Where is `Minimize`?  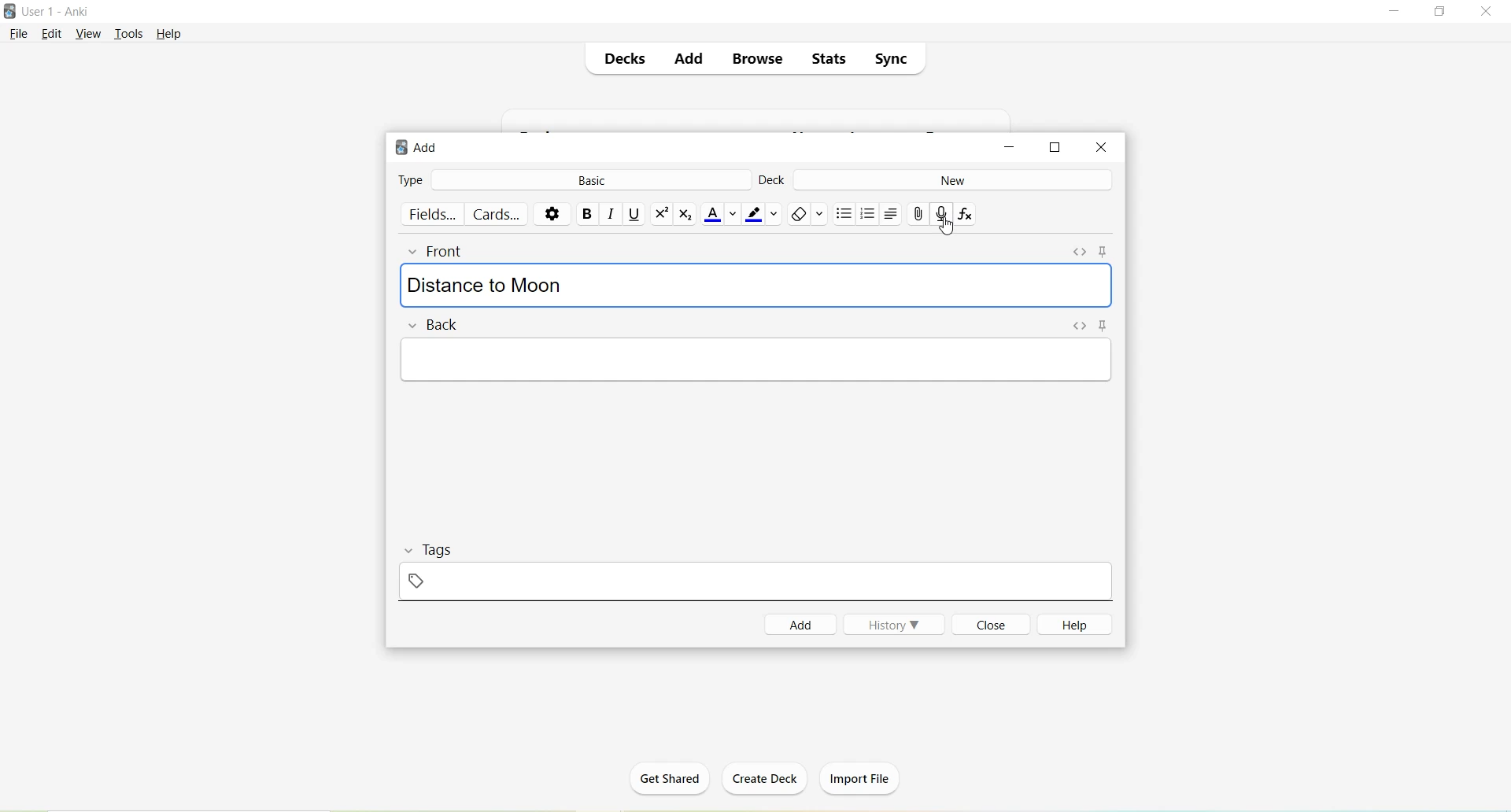
Minimize is located at coordinates (1007, 149).